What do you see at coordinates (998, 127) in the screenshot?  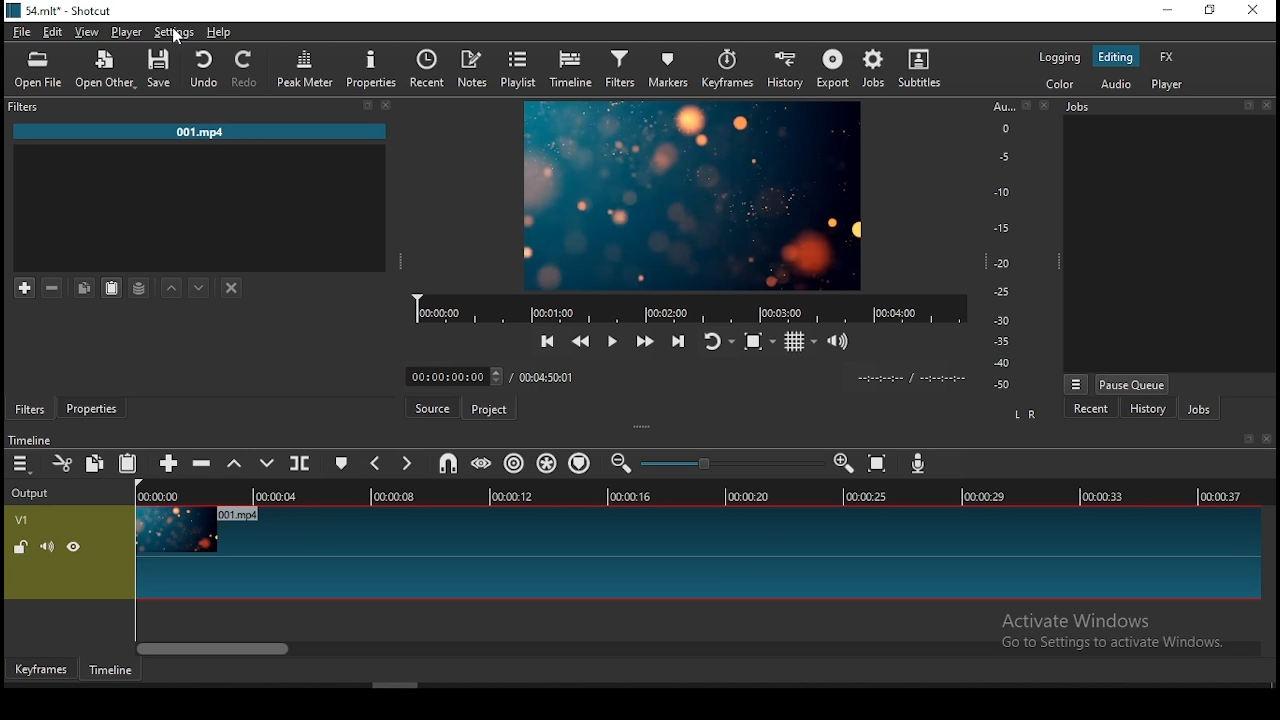 I see `o` at bounding box center [998, 127].